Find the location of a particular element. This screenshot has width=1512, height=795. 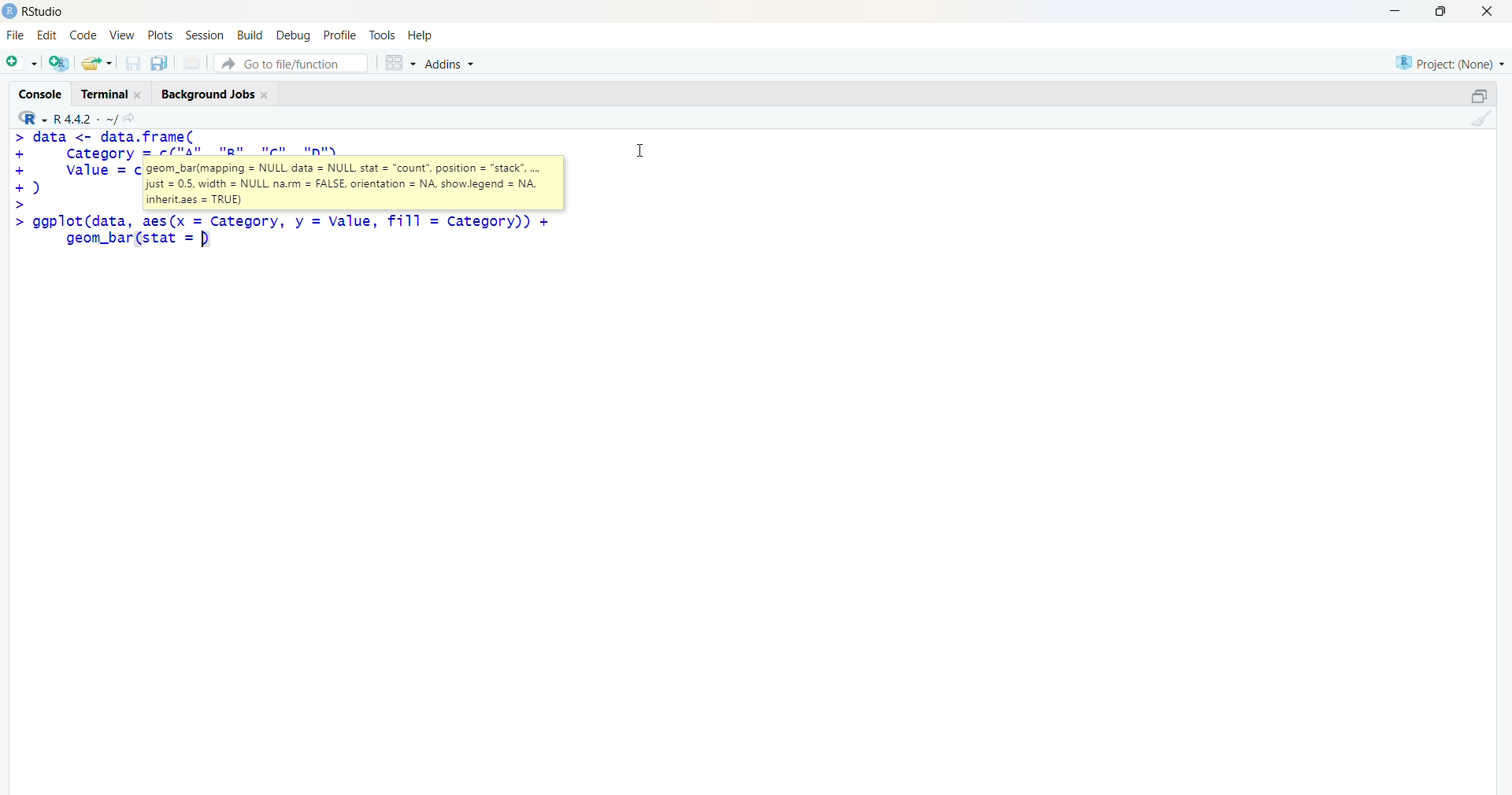

clear console is located at coordinates (1479, 118).